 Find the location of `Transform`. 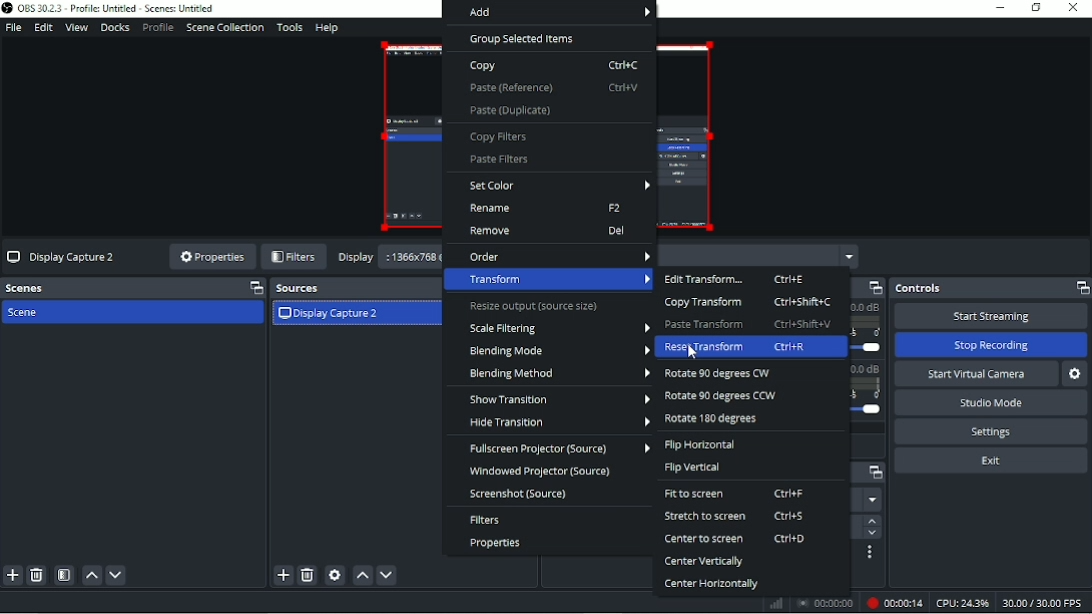

Transform is located at coordinates (551, 280).